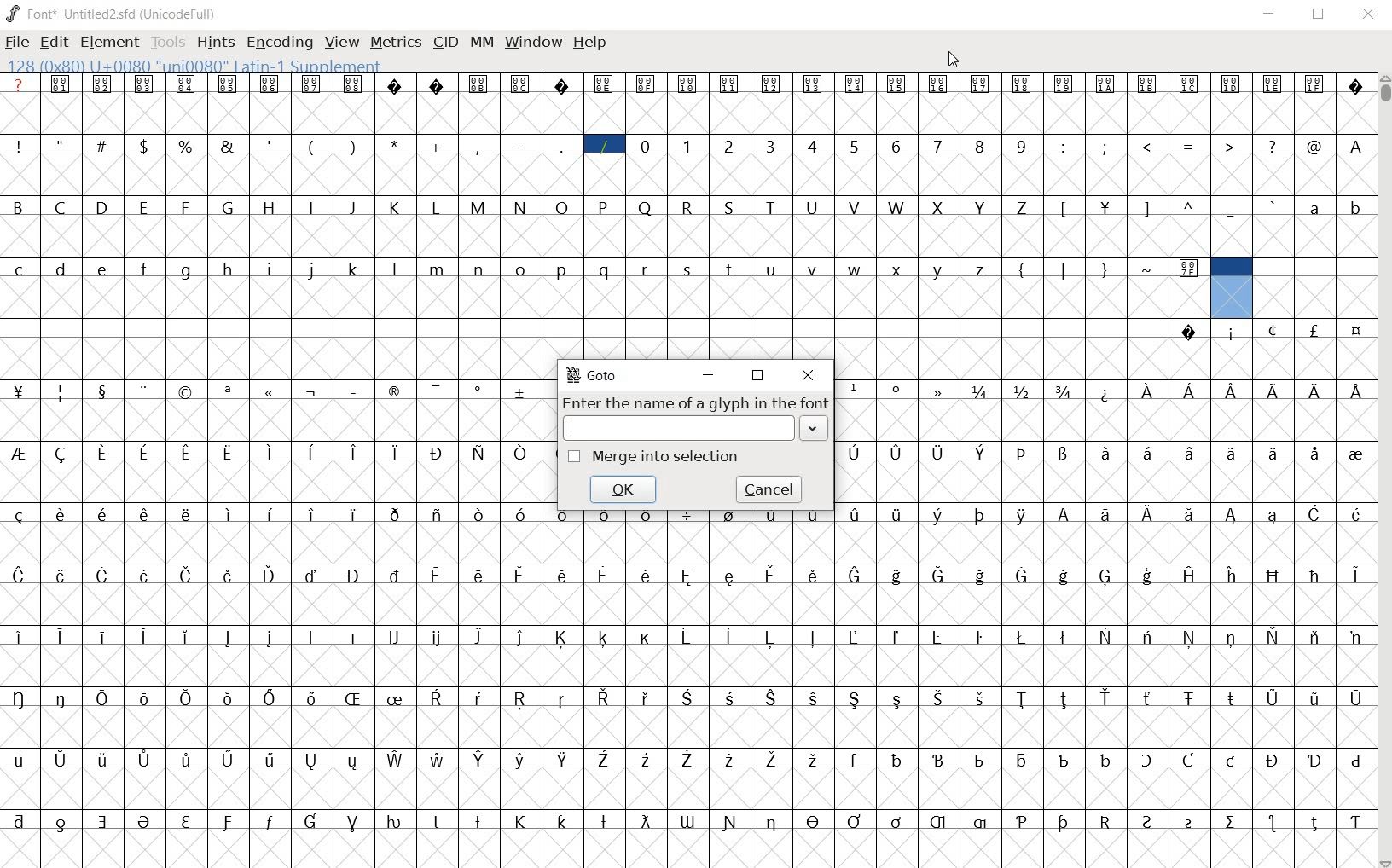 This screenshot has height=868, width=1392. I want to click on Symbol, so click(273, 820).